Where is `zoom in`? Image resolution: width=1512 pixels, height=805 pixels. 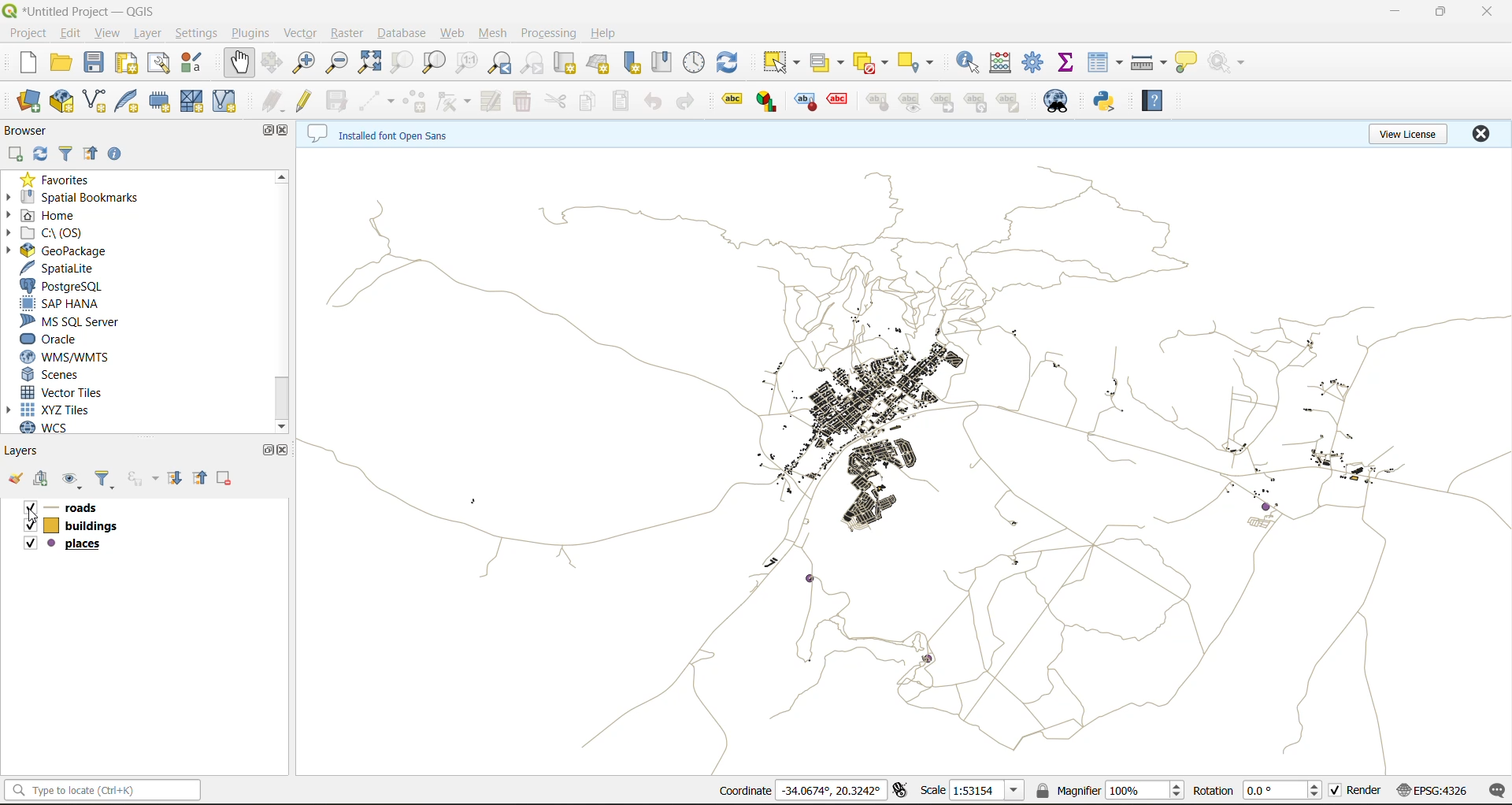
zoom in is located at coordinates (305, 65).